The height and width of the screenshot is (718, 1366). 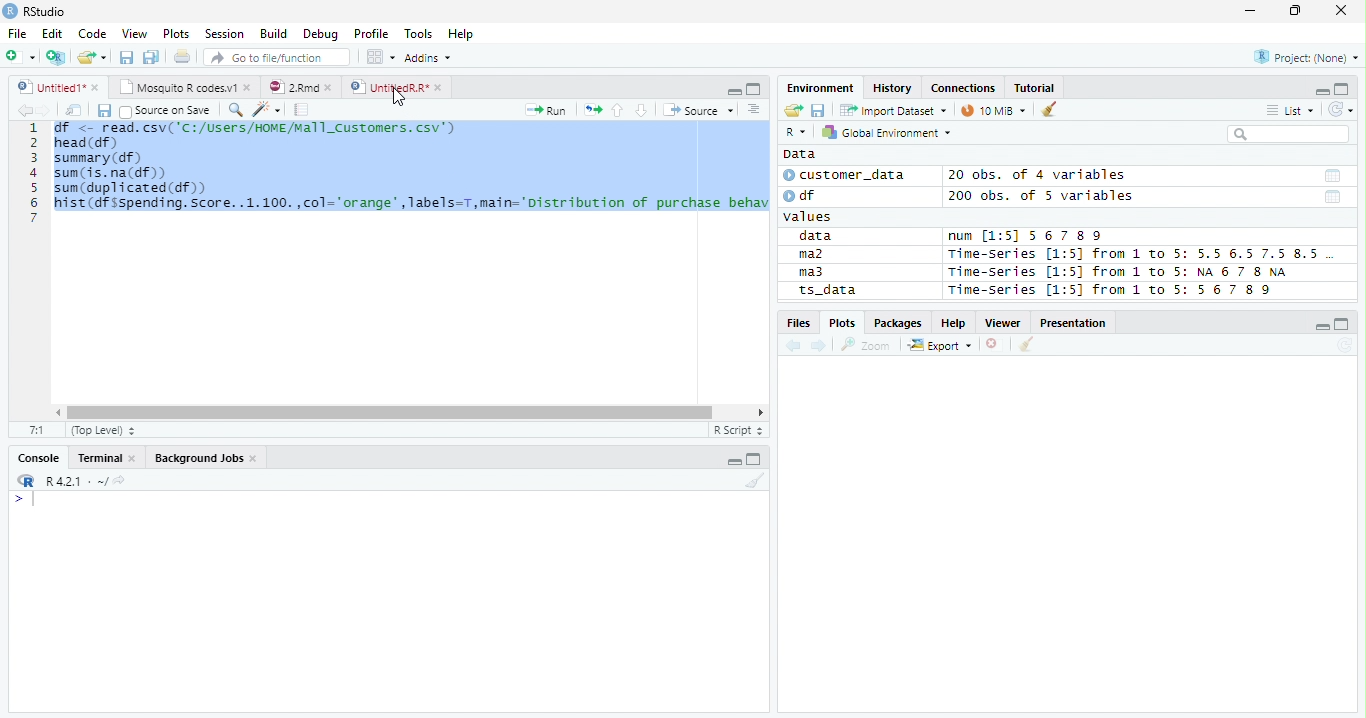 I want to click on Compile Report, so click(x=302, y=110).